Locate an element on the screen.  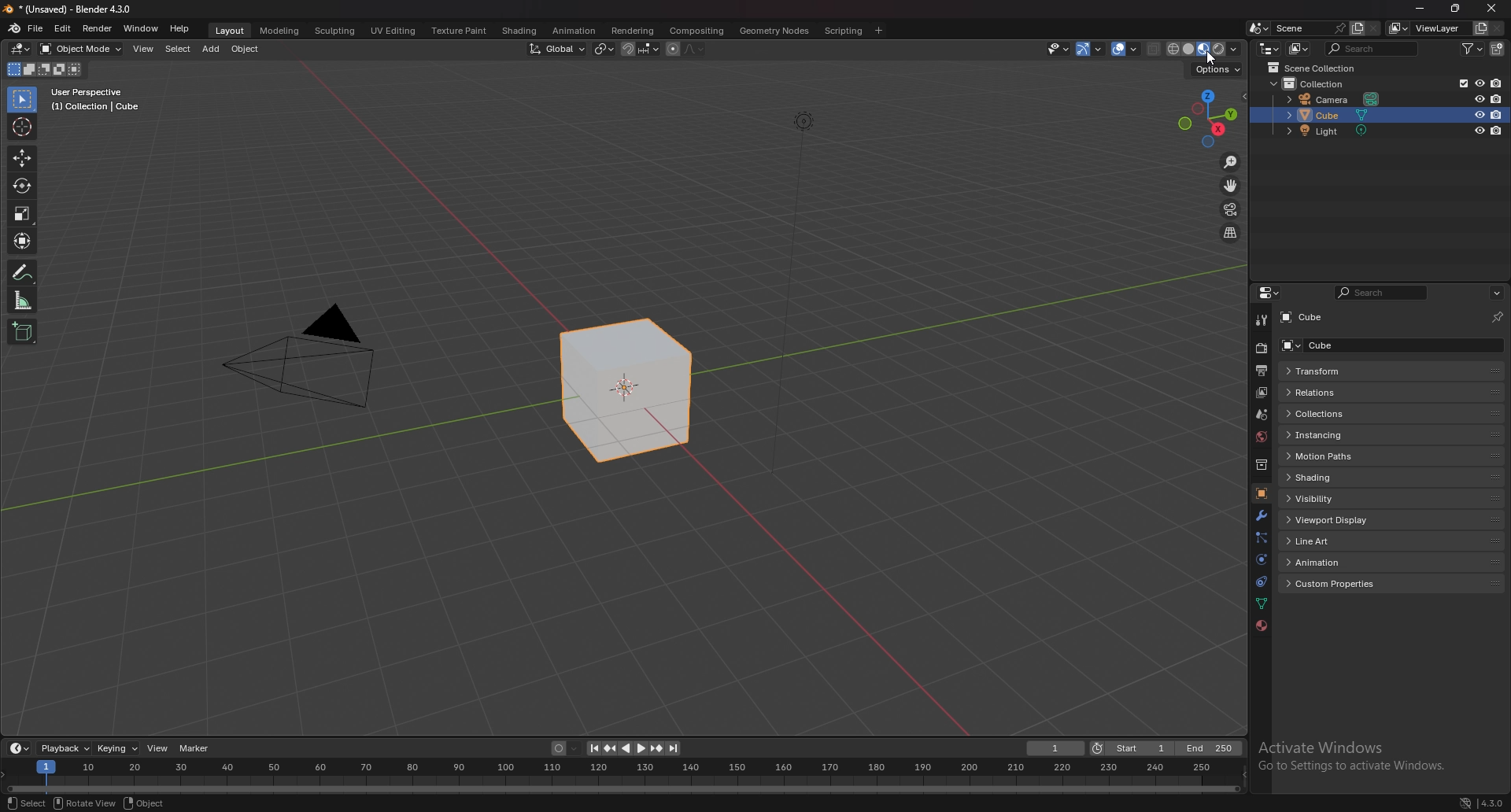
snapping is located at coordinates (641, 49).